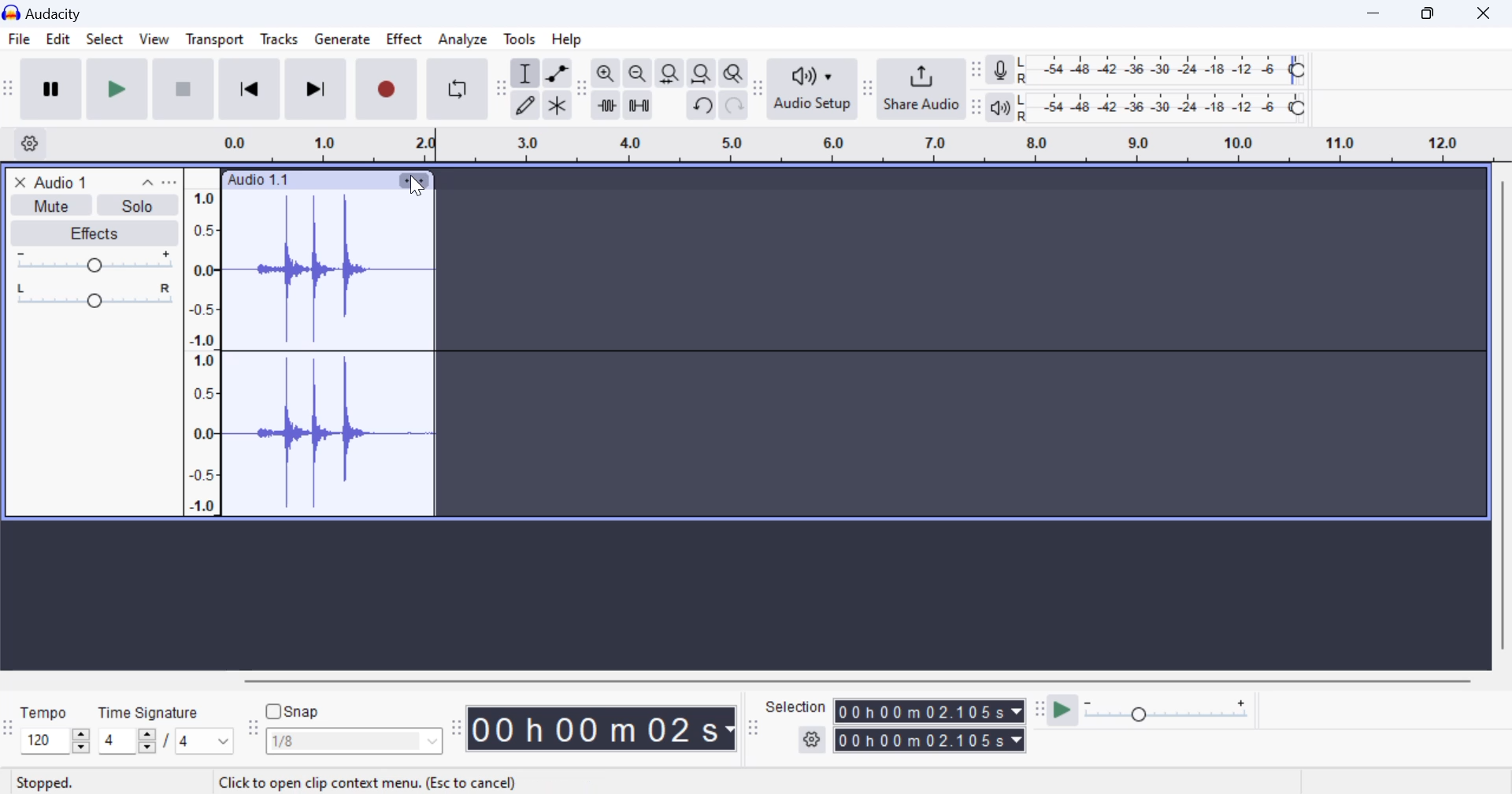  What do you see at coordinates (668, 75) in the screenshot?
I see `fit selection to width` at bounding box center [668, 75].